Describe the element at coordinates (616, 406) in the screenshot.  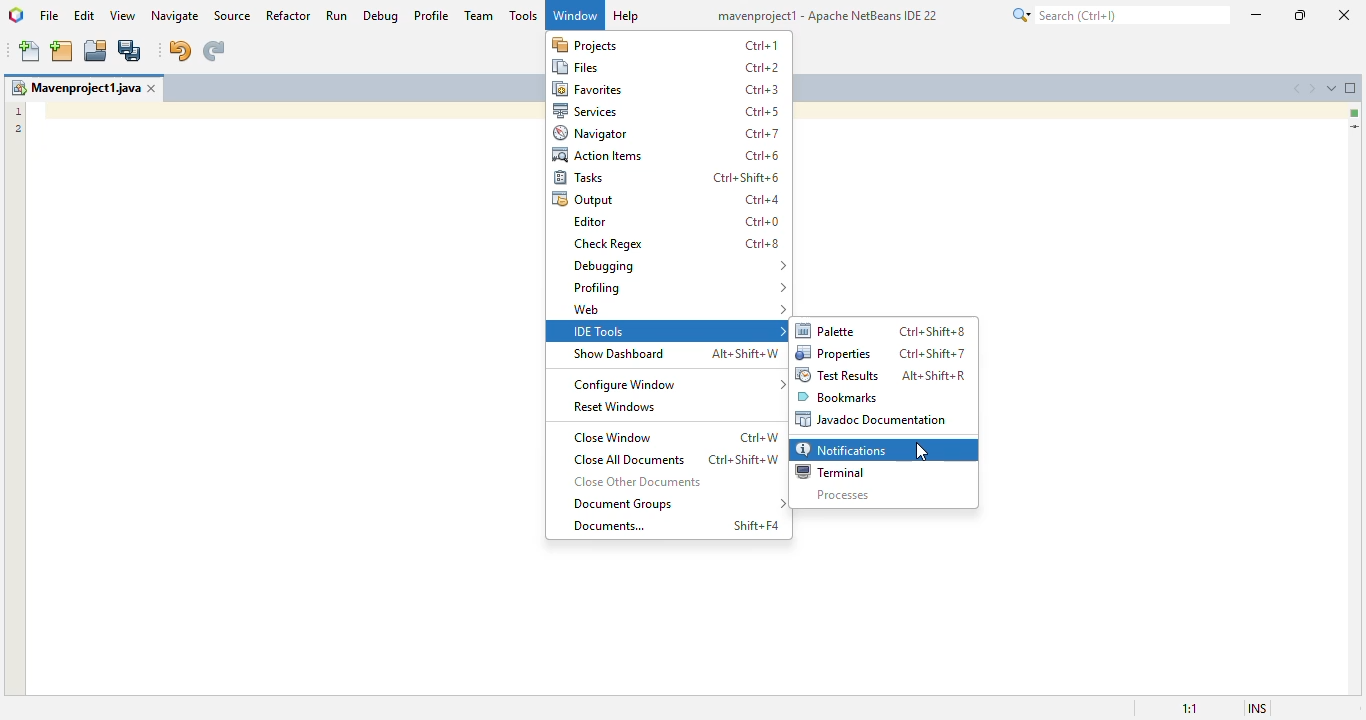
I see `reset windows` at that location.